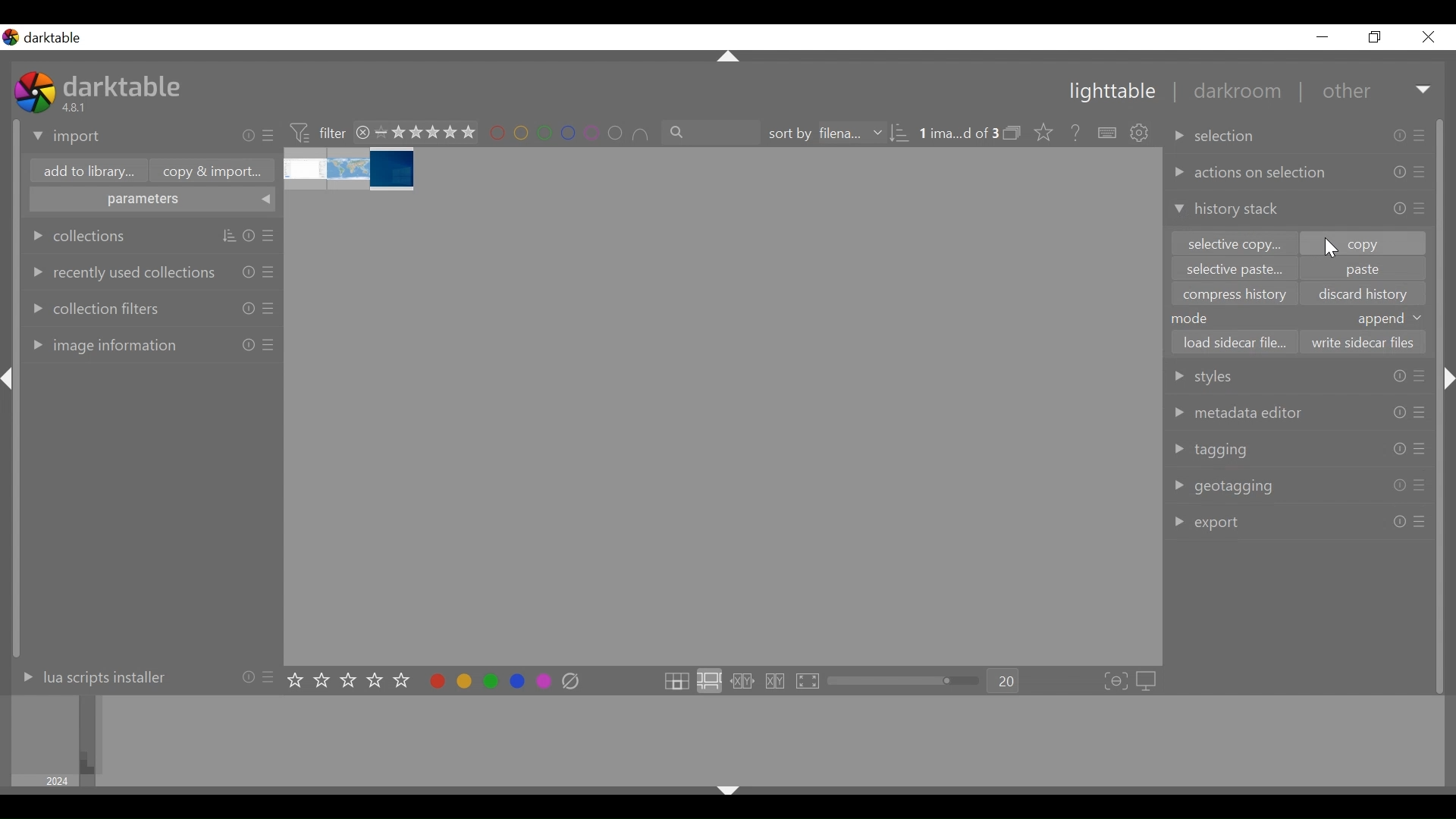 This screenshot has height=819, width=1456. I want to click on Collapse , so click(11, 379).